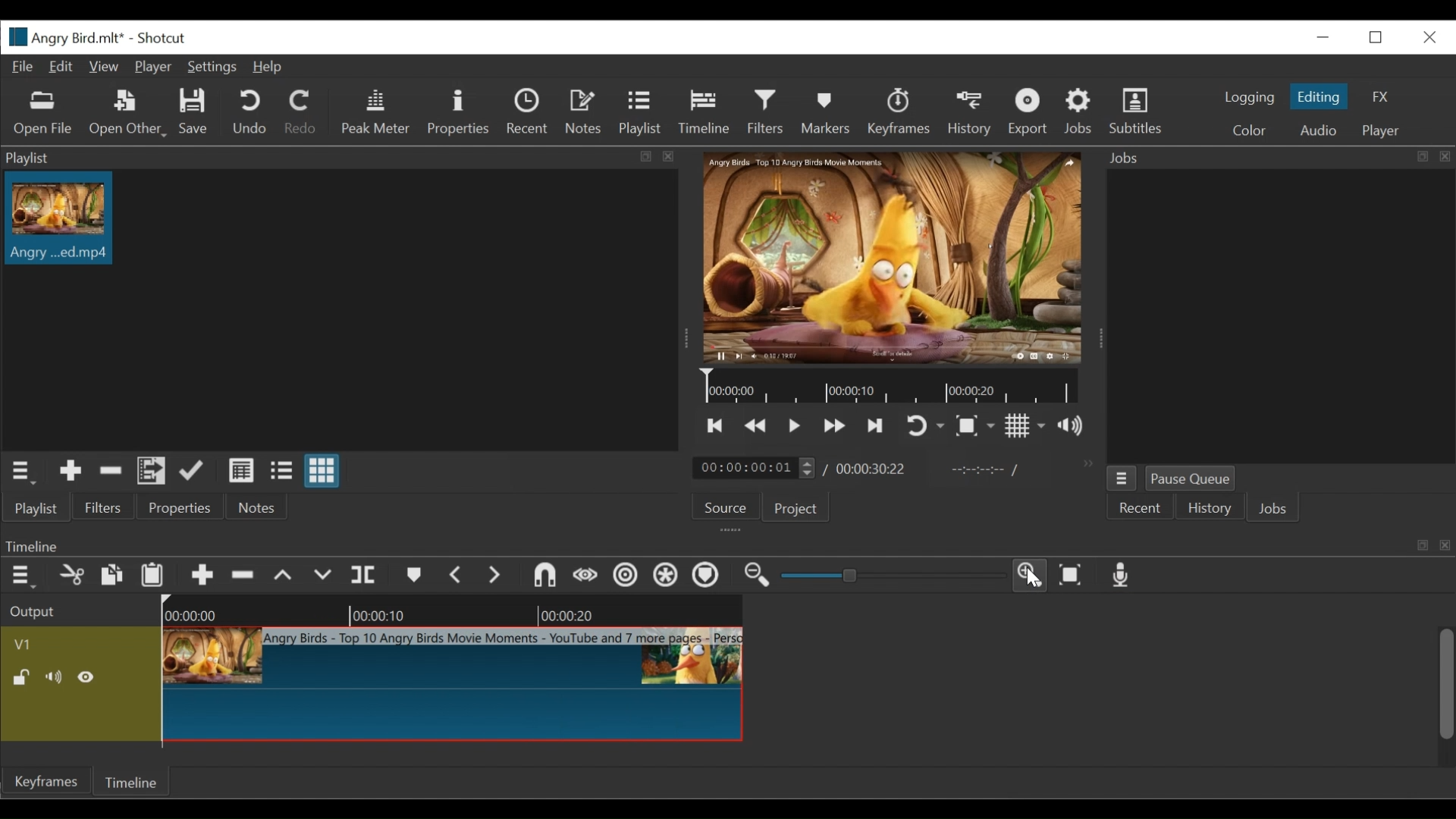  Describe the element at coordinates (495, 576) in the screenshot. I see `Next Marker` at that location.